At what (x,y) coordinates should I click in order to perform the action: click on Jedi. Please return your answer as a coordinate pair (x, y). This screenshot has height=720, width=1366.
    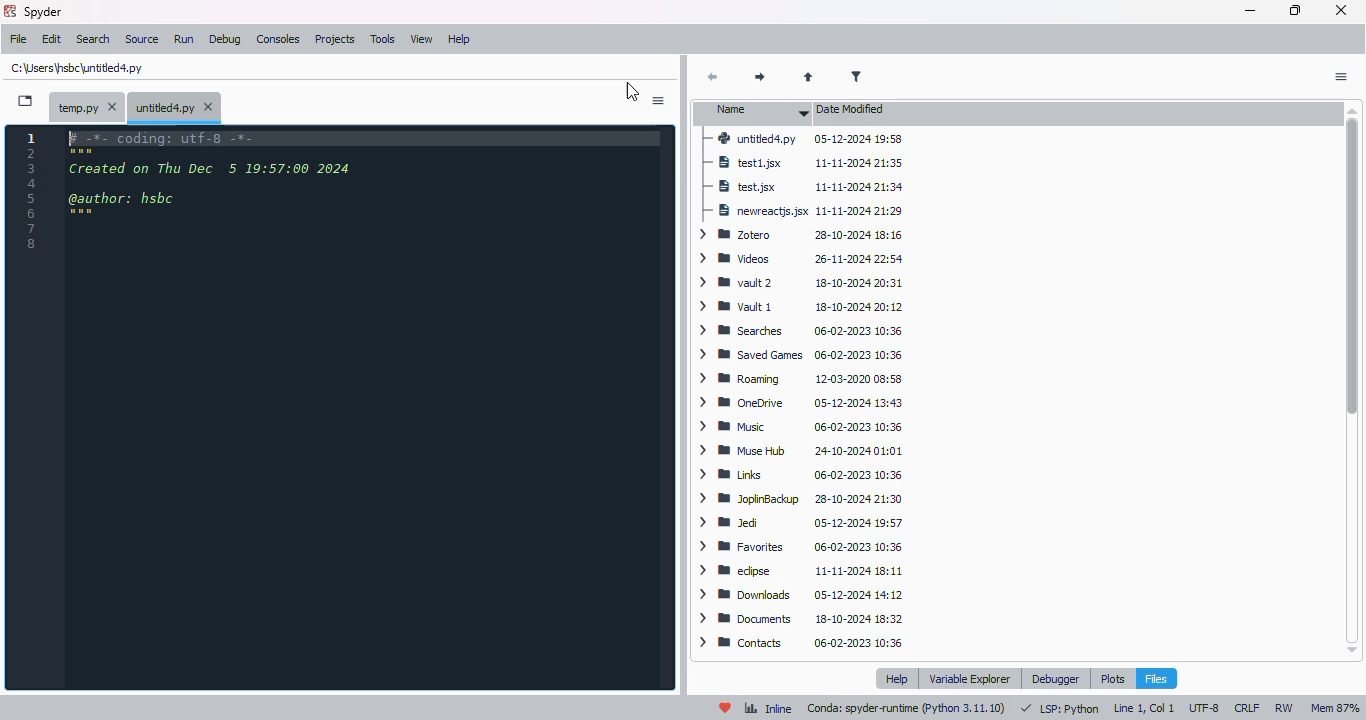
    Looking at the image, I should click on (802, 574).